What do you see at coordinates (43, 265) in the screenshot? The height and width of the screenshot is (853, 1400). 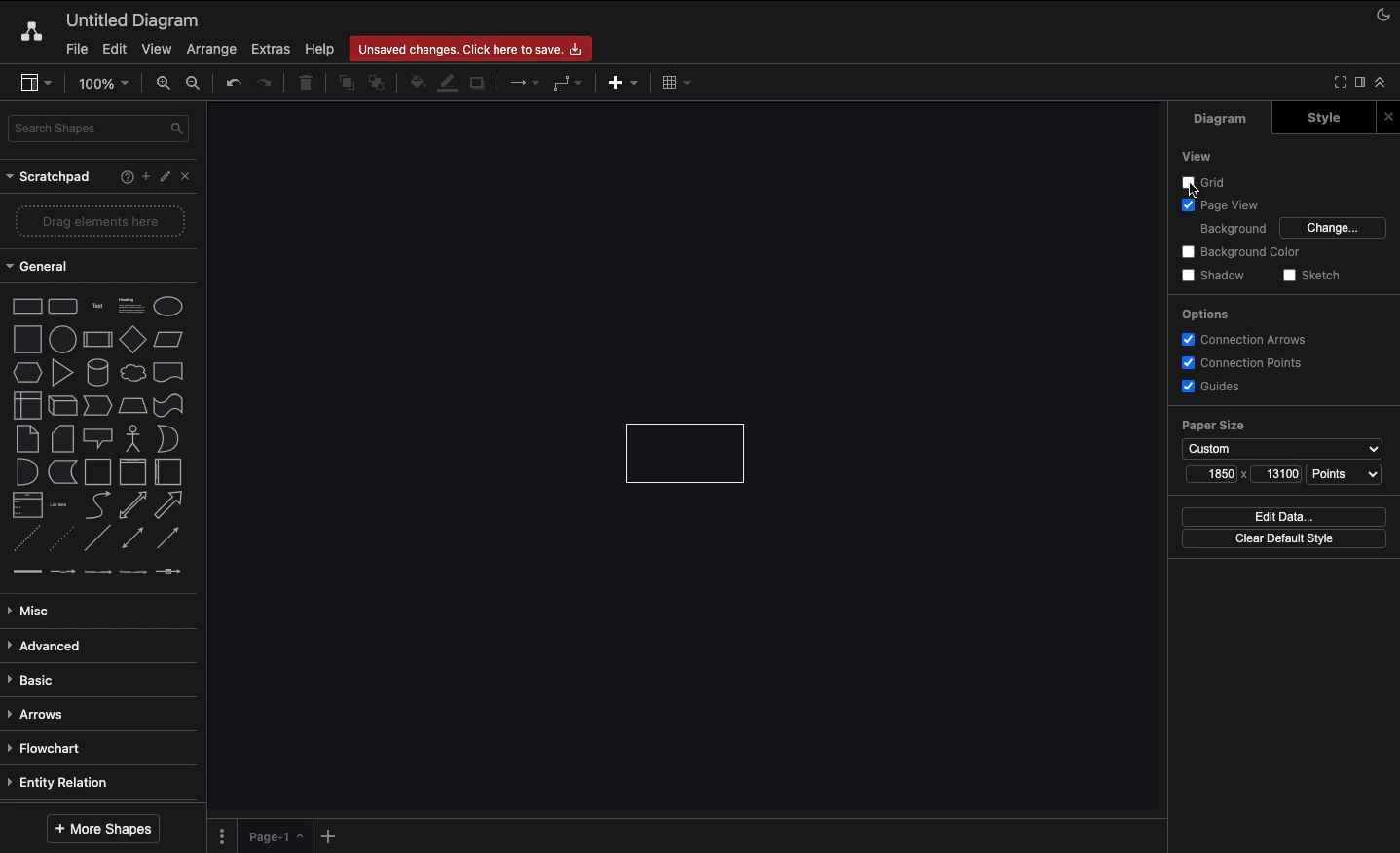 I see `General` at bounding box center [43, 265].